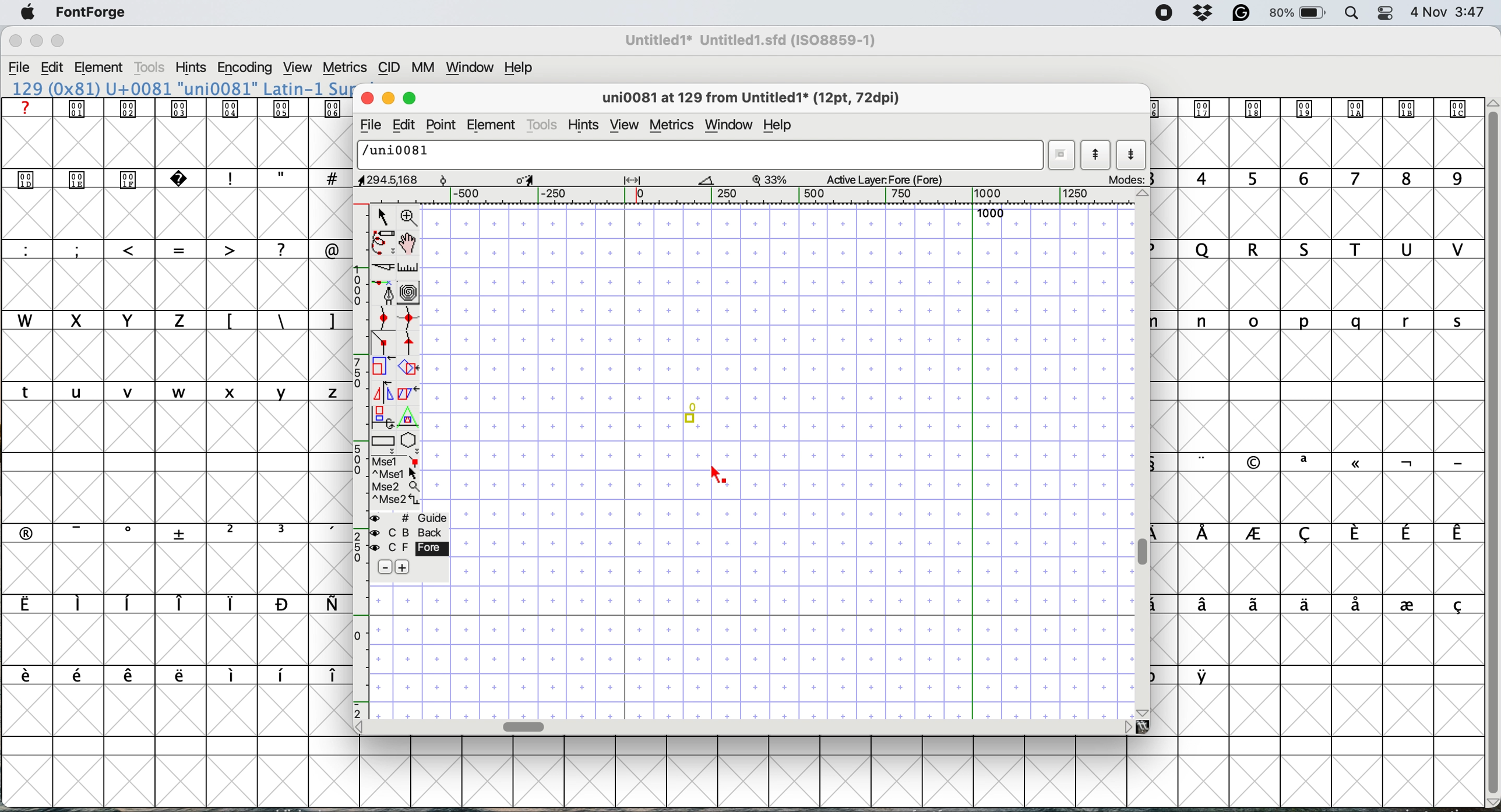 Image resolution: width=1501 pixels, height=812 pixels. What do you see at coordinates (297, 68) in the screenshot?
I see `View` at bounding box center [297, 68].